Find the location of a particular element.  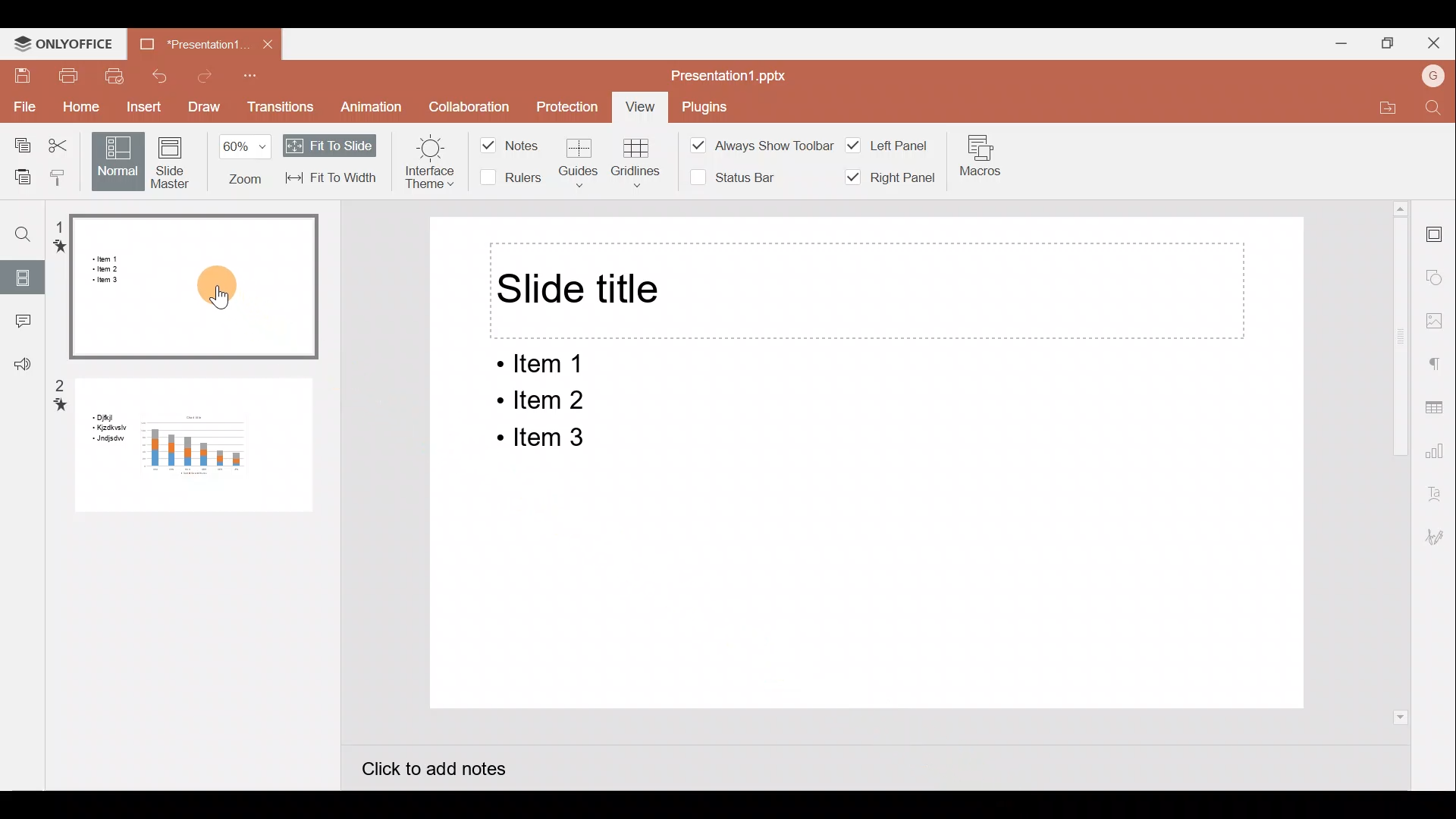

Minimize is located at coordinates (1330, 42).